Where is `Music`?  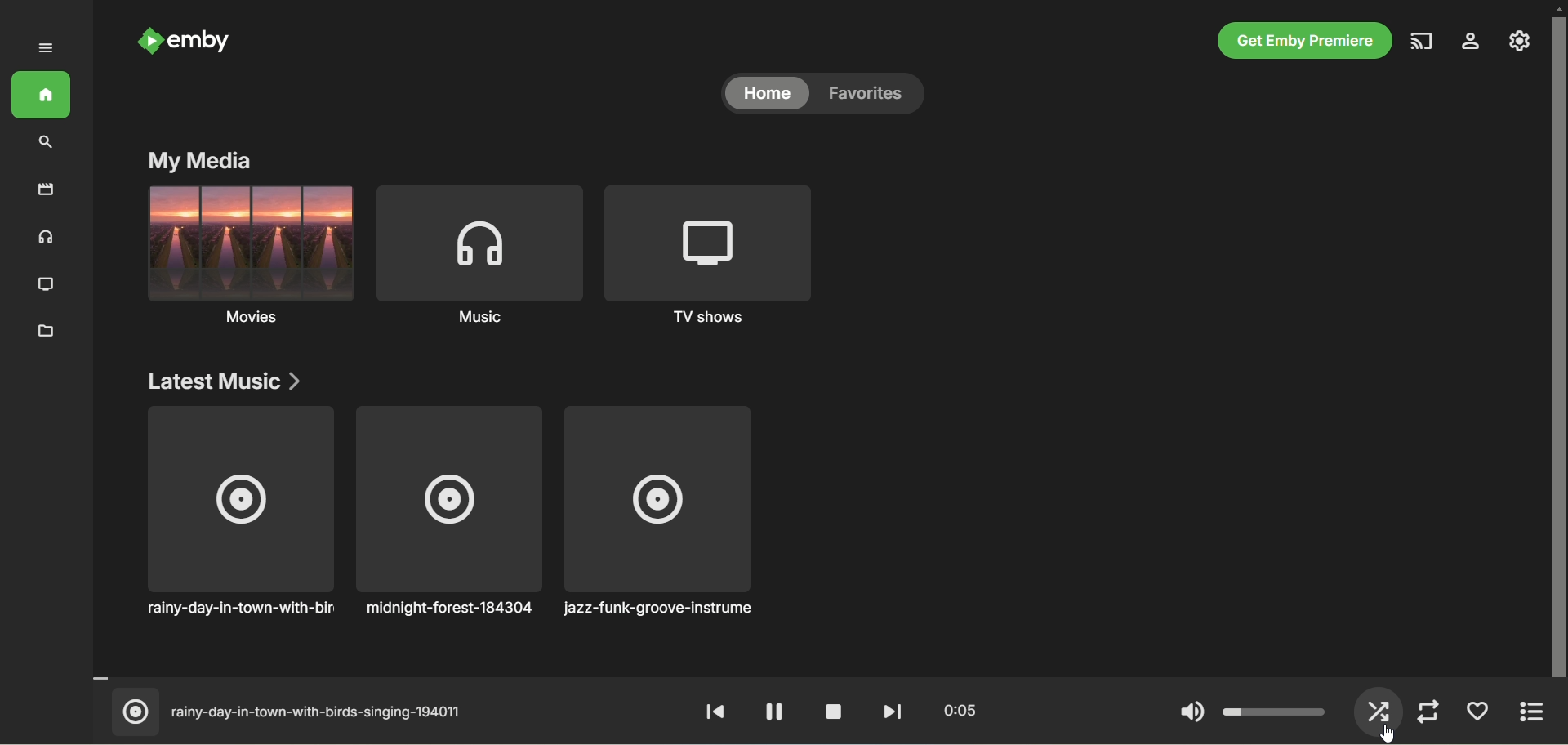
Music is located at coordinates (251, 257).